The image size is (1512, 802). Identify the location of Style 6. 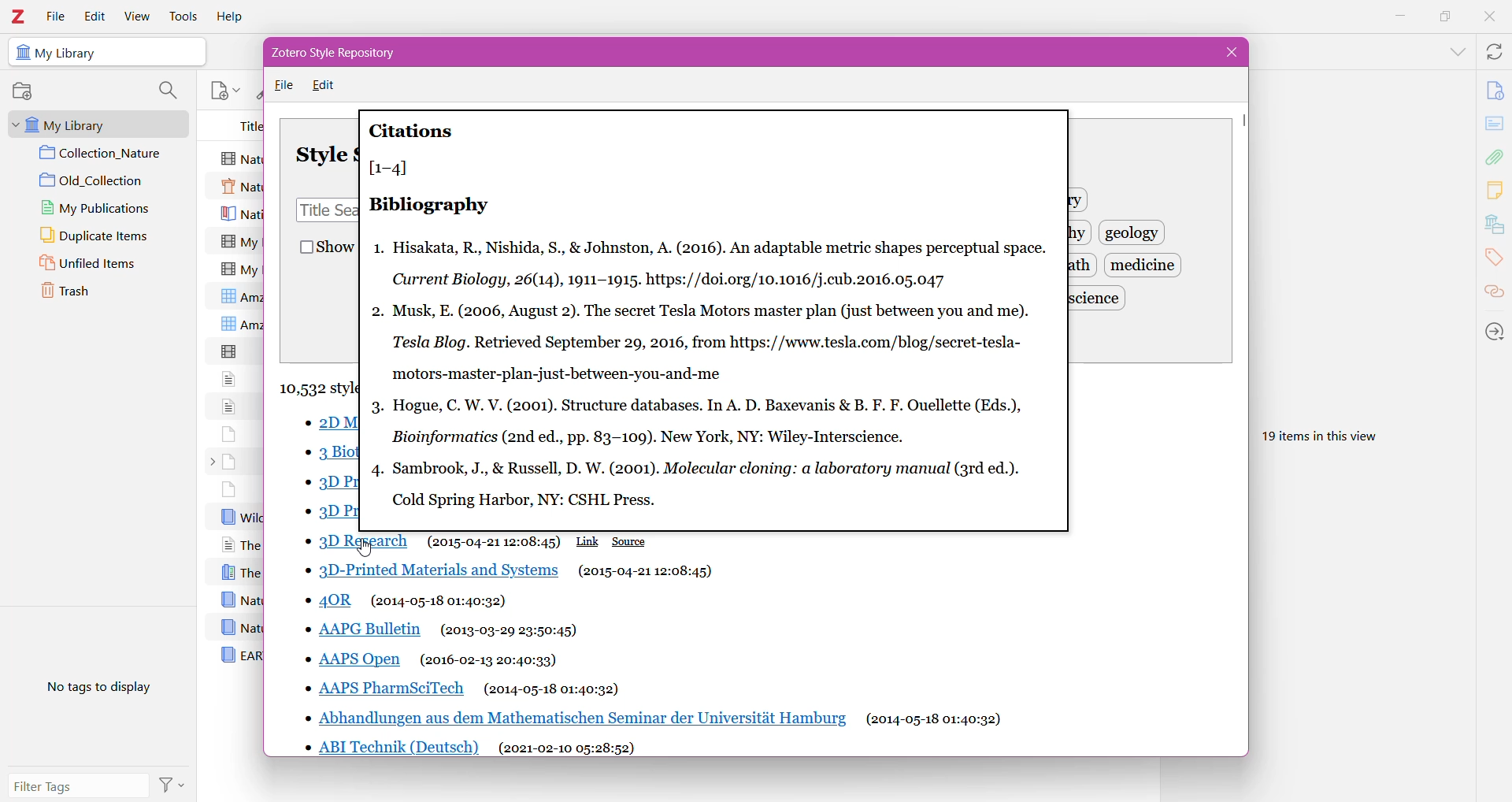
(432, 572).